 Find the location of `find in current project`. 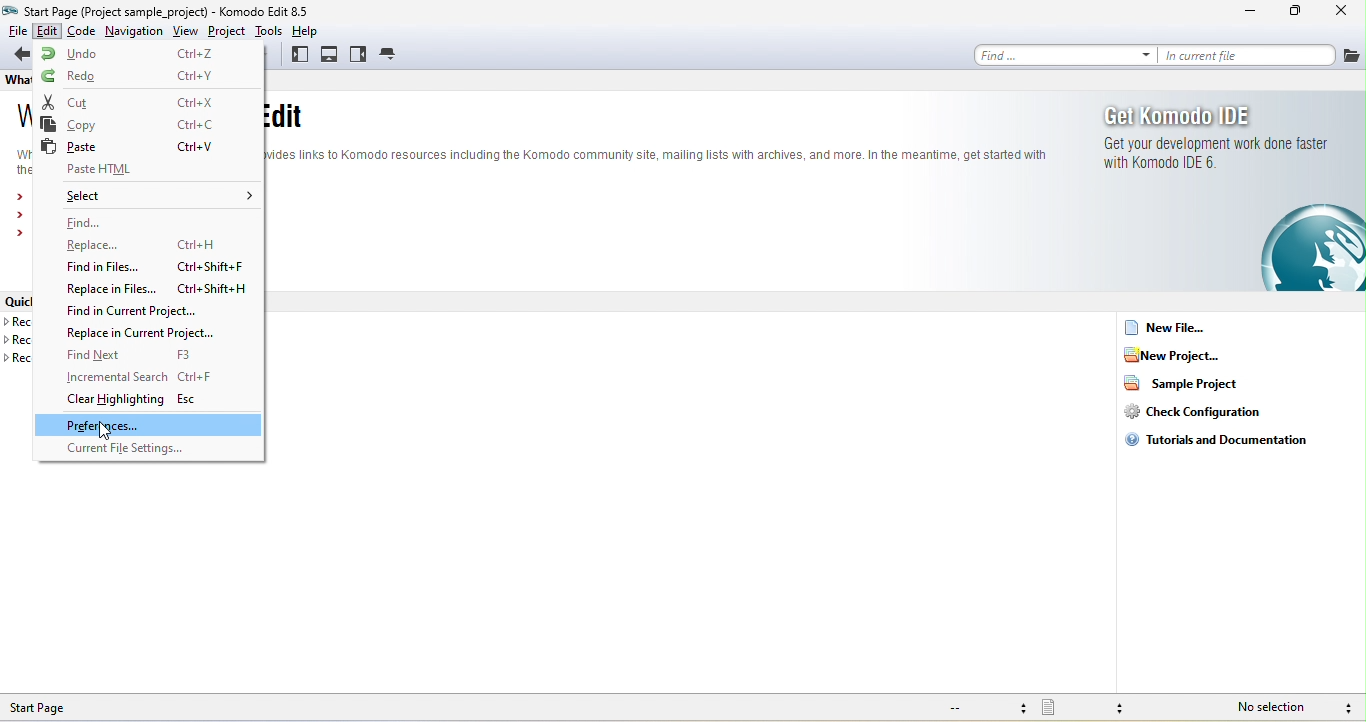

find in current project is located at coordinates (138, 312).